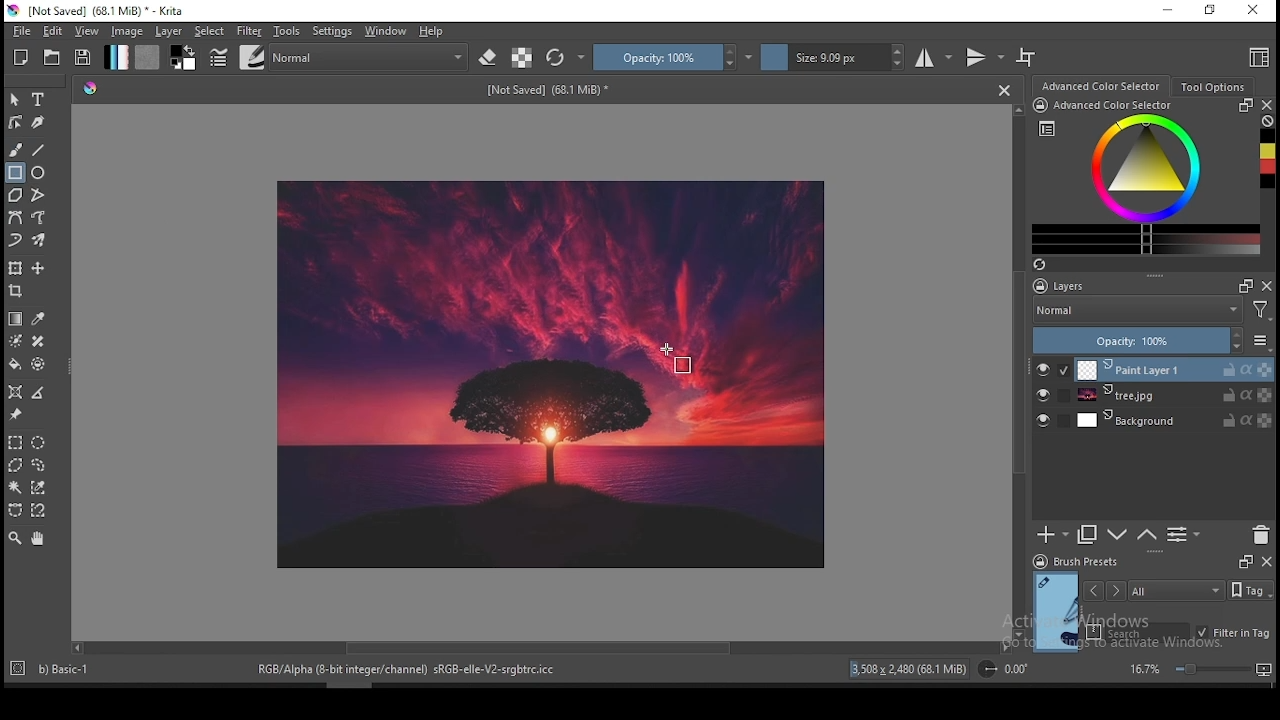  Describe the element at coordinates (39, 173) in the screenshot. I see `ellipse tool` at that location.